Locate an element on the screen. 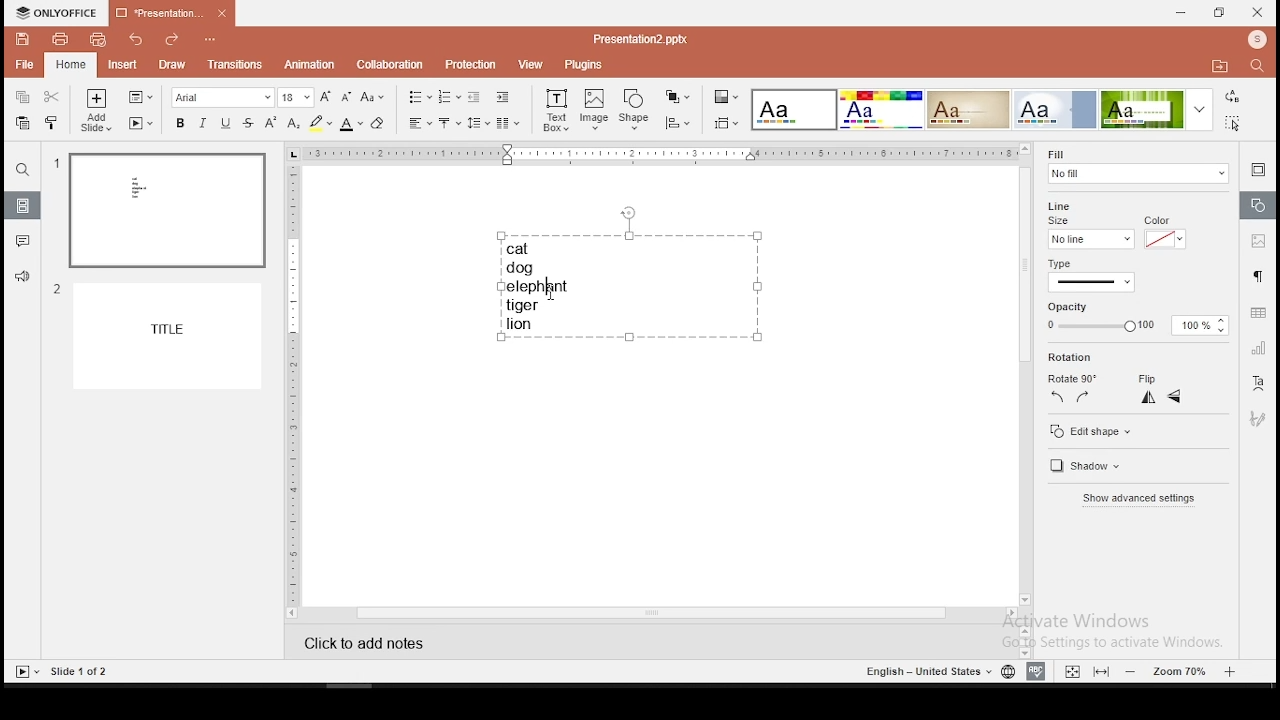 The height and width of the screenshot is (720, 1280). Color is located at coordinates (1164, 232).